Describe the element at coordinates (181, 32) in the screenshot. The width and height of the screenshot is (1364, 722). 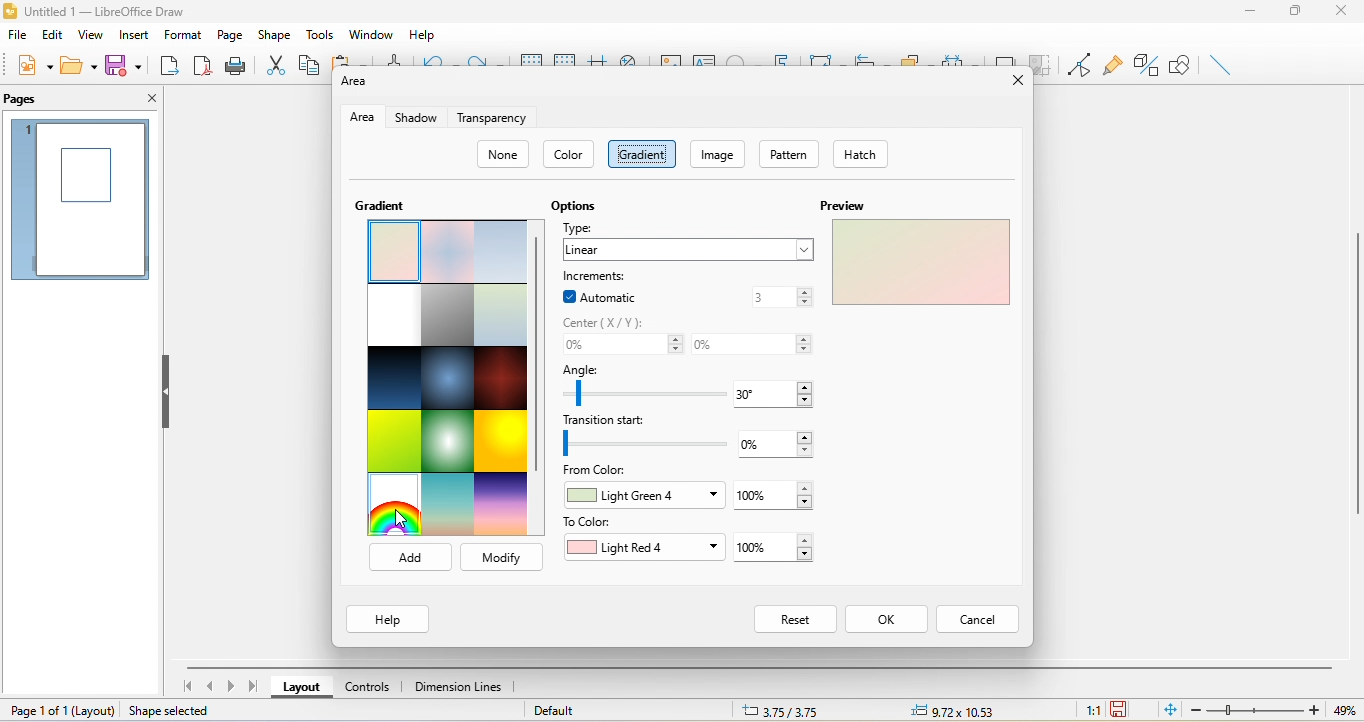
I see `format` at that location.